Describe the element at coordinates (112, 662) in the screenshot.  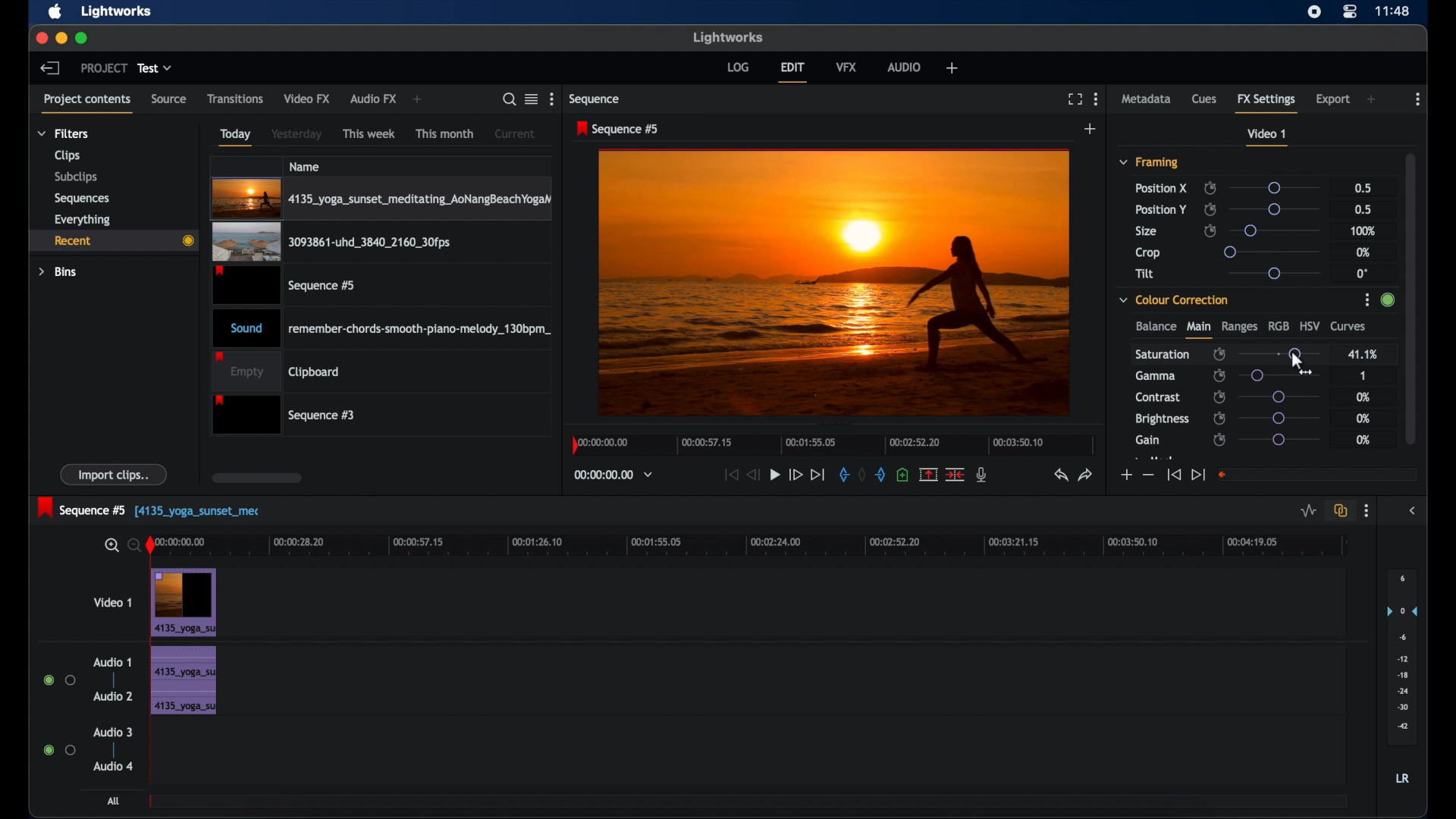
I see `audio 1` at that location.